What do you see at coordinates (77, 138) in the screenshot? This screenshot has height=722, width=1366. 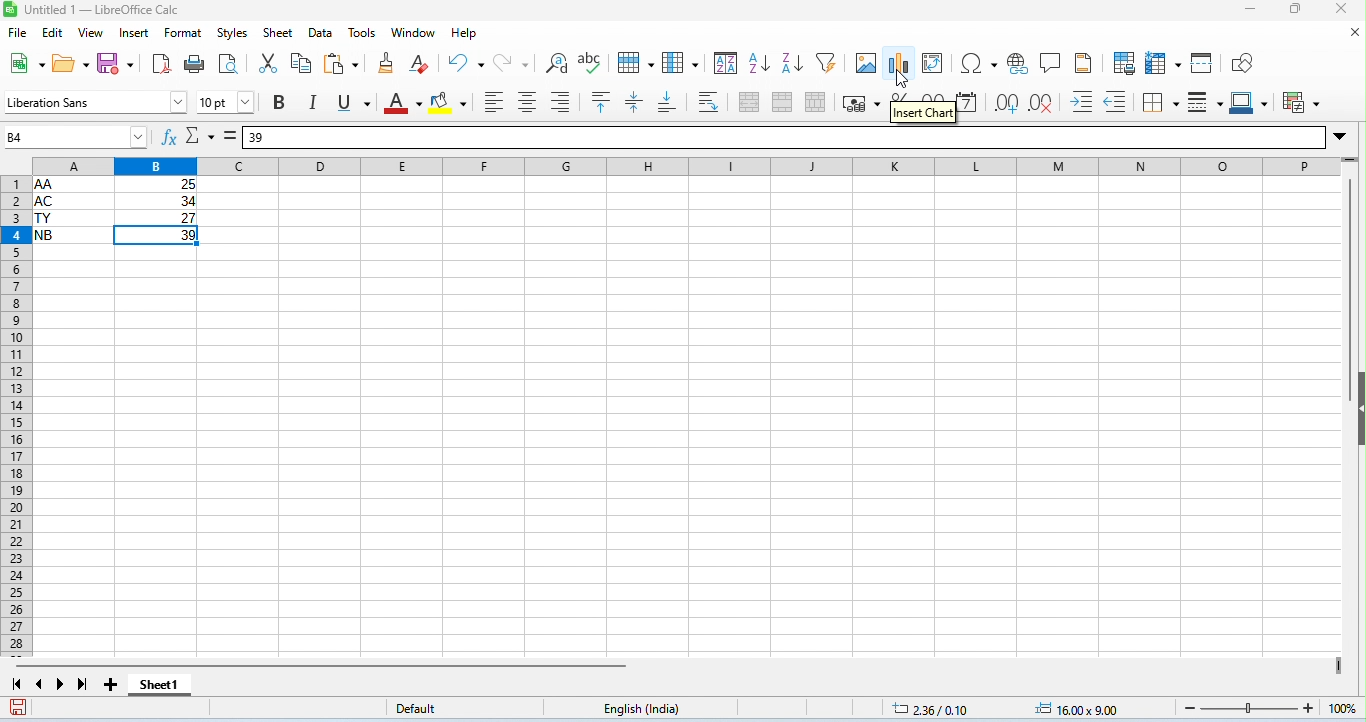 I see `selected cell number` at bounding box center [77, 138].